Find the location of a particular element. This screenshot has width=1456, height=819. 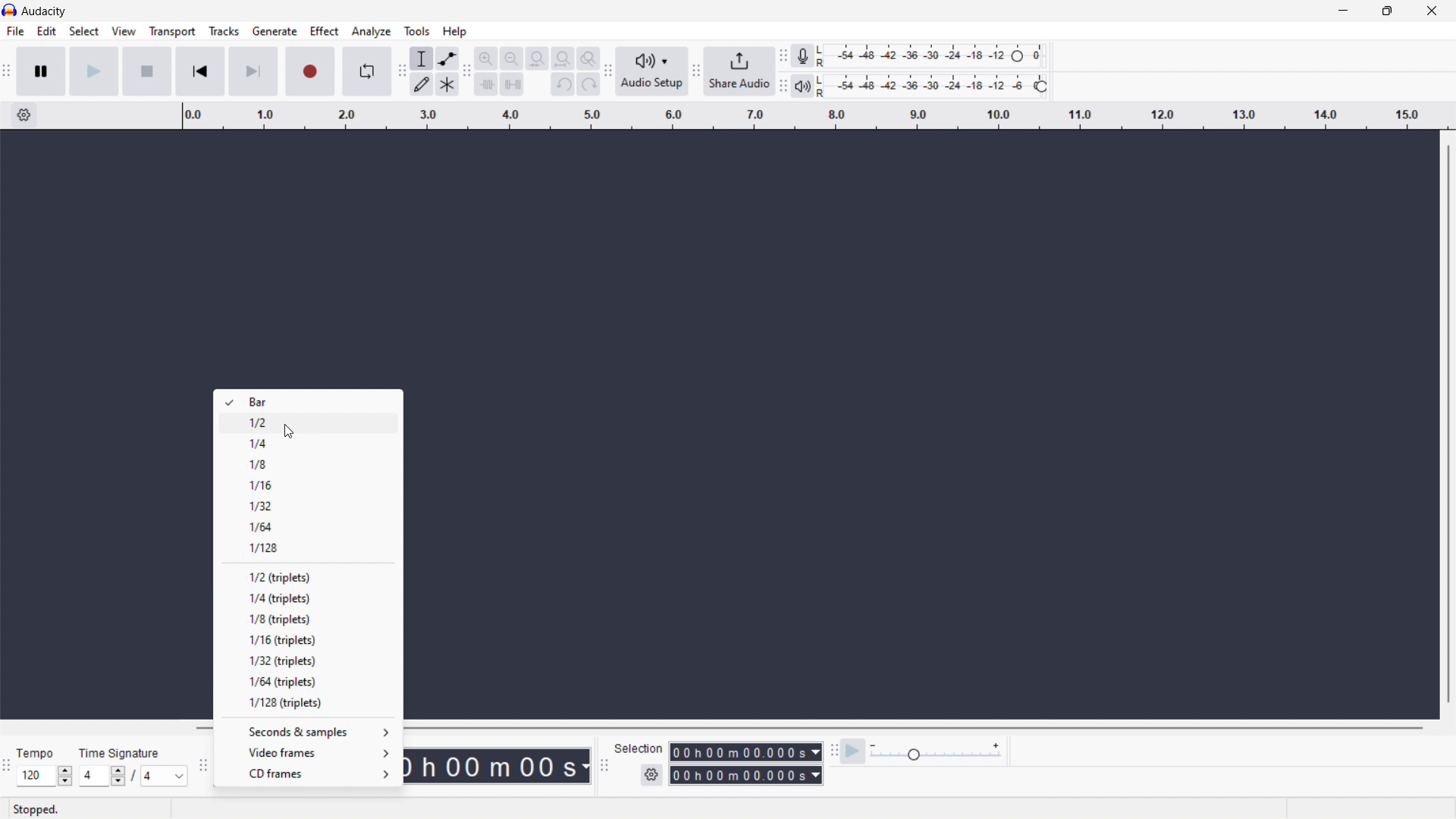

analyze is located at coordinates (372, 32).